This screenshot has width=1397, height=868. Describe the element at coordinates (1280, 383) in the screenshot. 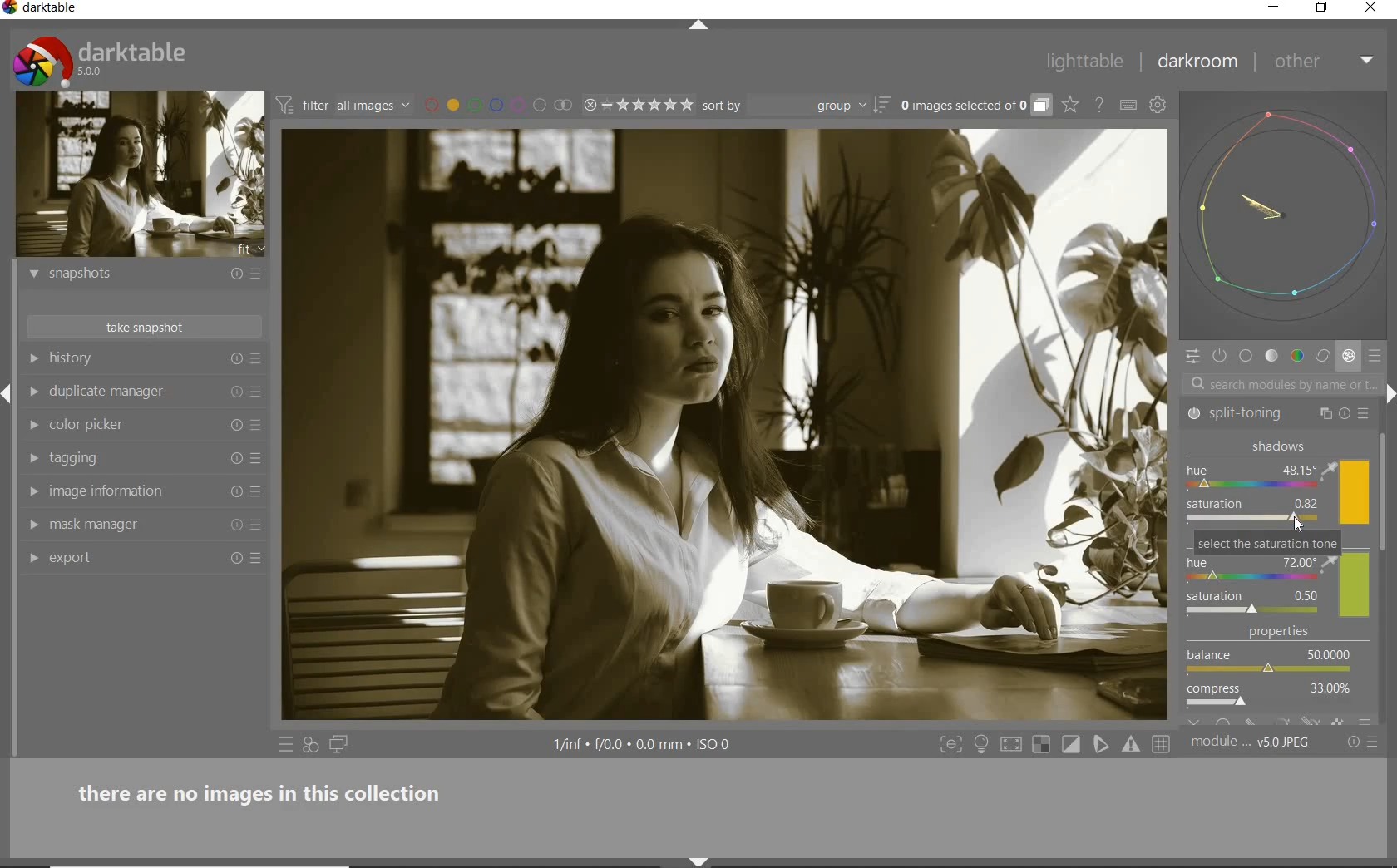

I see `search module by name` at that location.